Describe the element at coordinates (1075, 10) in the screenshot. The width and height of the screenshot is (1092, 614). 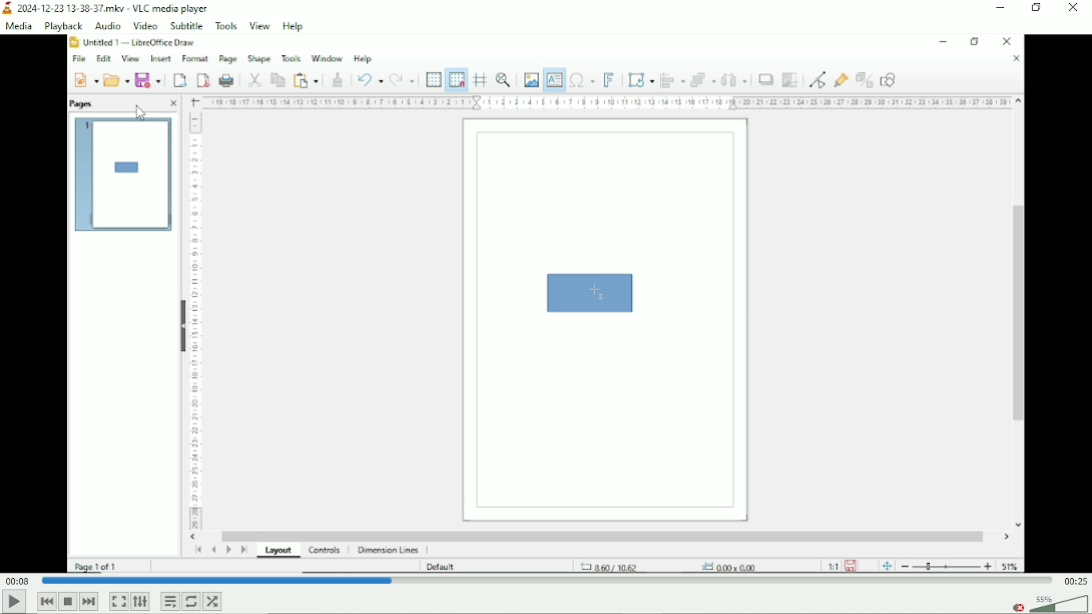
I see `Close` at that location.